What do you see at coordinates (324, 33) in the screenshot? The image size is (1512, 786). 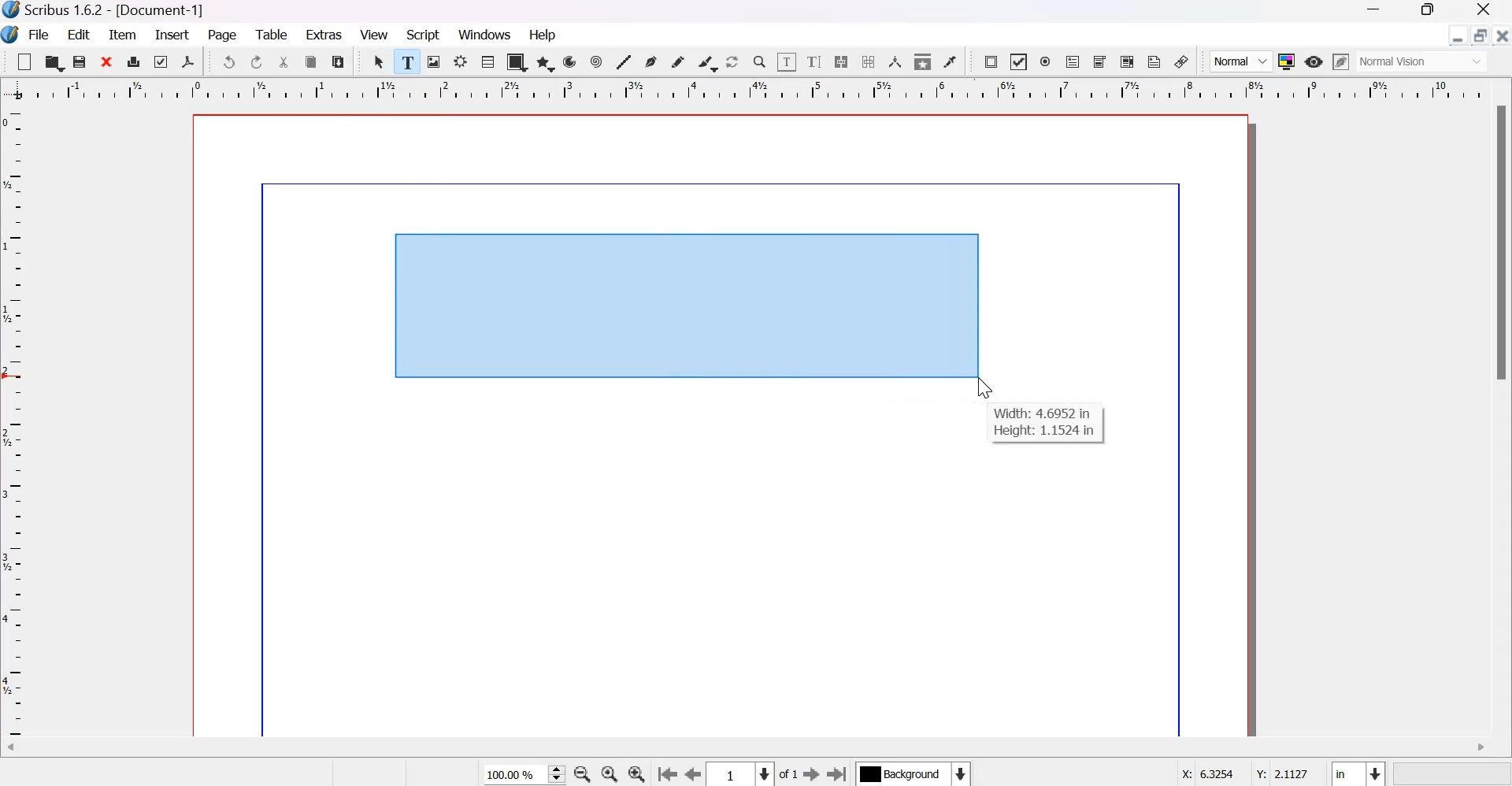 I see `Extras` at bounding box center [324, 33].